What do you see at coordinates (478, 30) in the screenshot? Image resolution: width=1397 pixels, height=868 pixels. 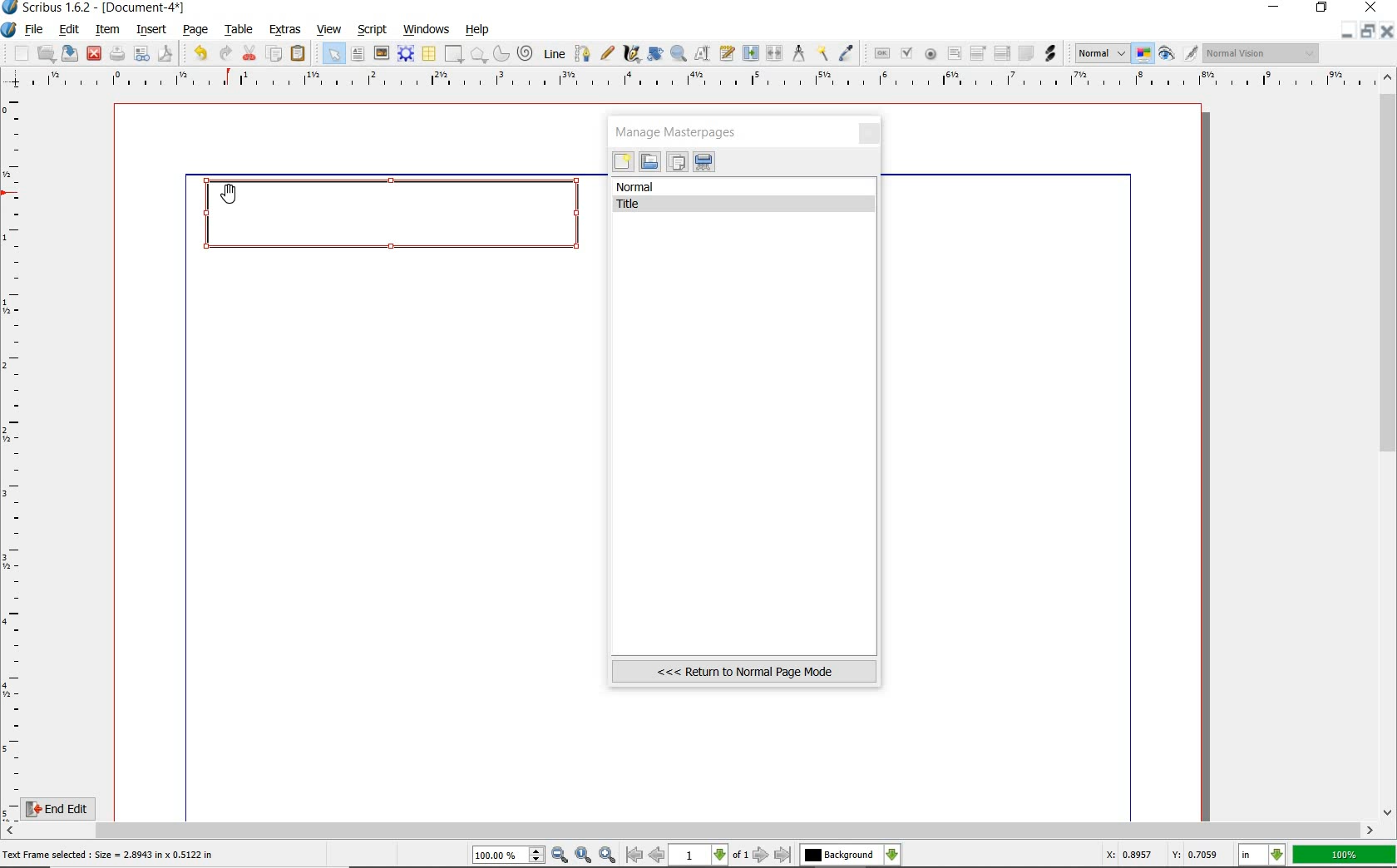 I see `help` at bounding box center [478, 30].